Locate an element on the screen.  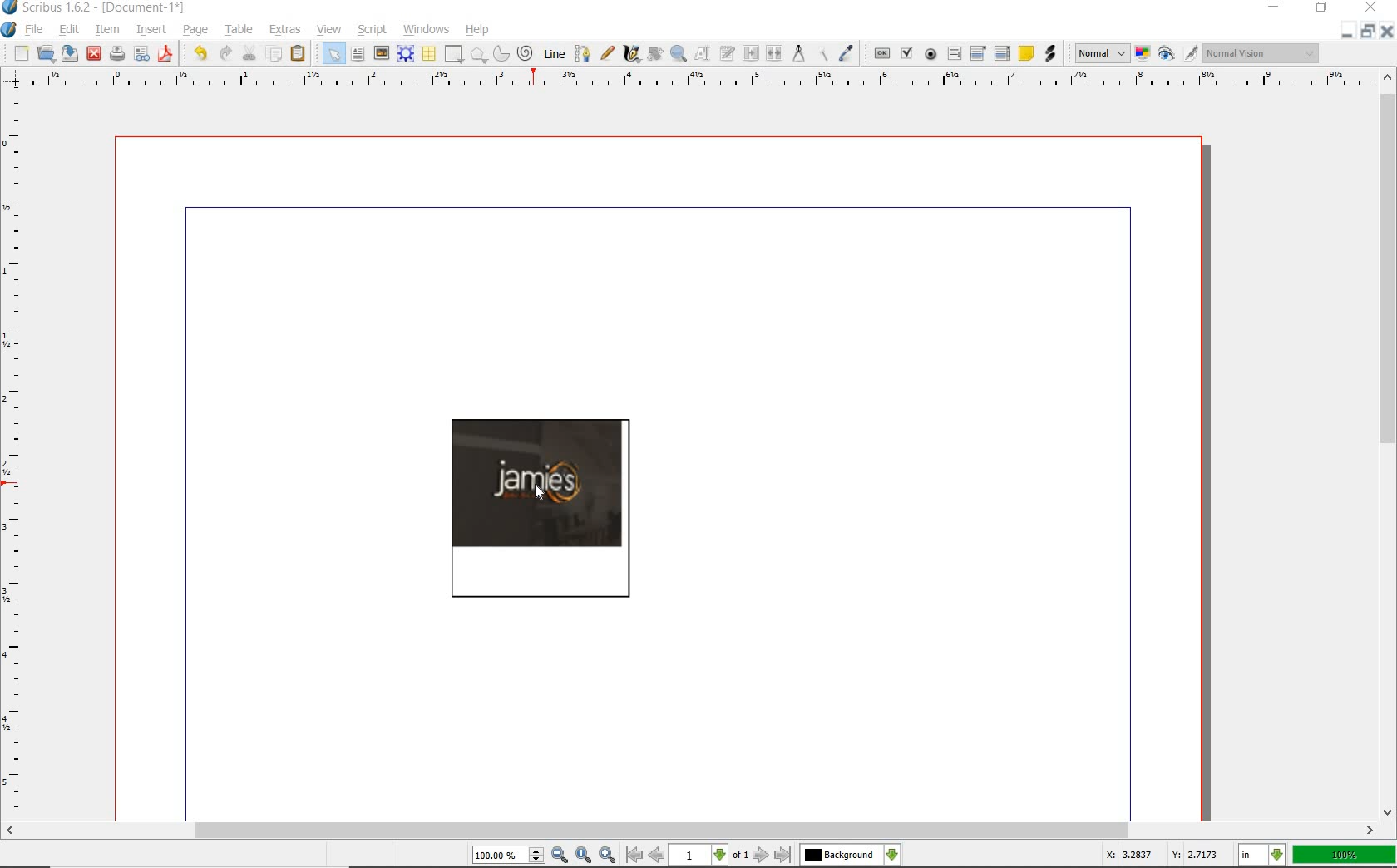
scrollbar is located at coordinates (1389, 445).